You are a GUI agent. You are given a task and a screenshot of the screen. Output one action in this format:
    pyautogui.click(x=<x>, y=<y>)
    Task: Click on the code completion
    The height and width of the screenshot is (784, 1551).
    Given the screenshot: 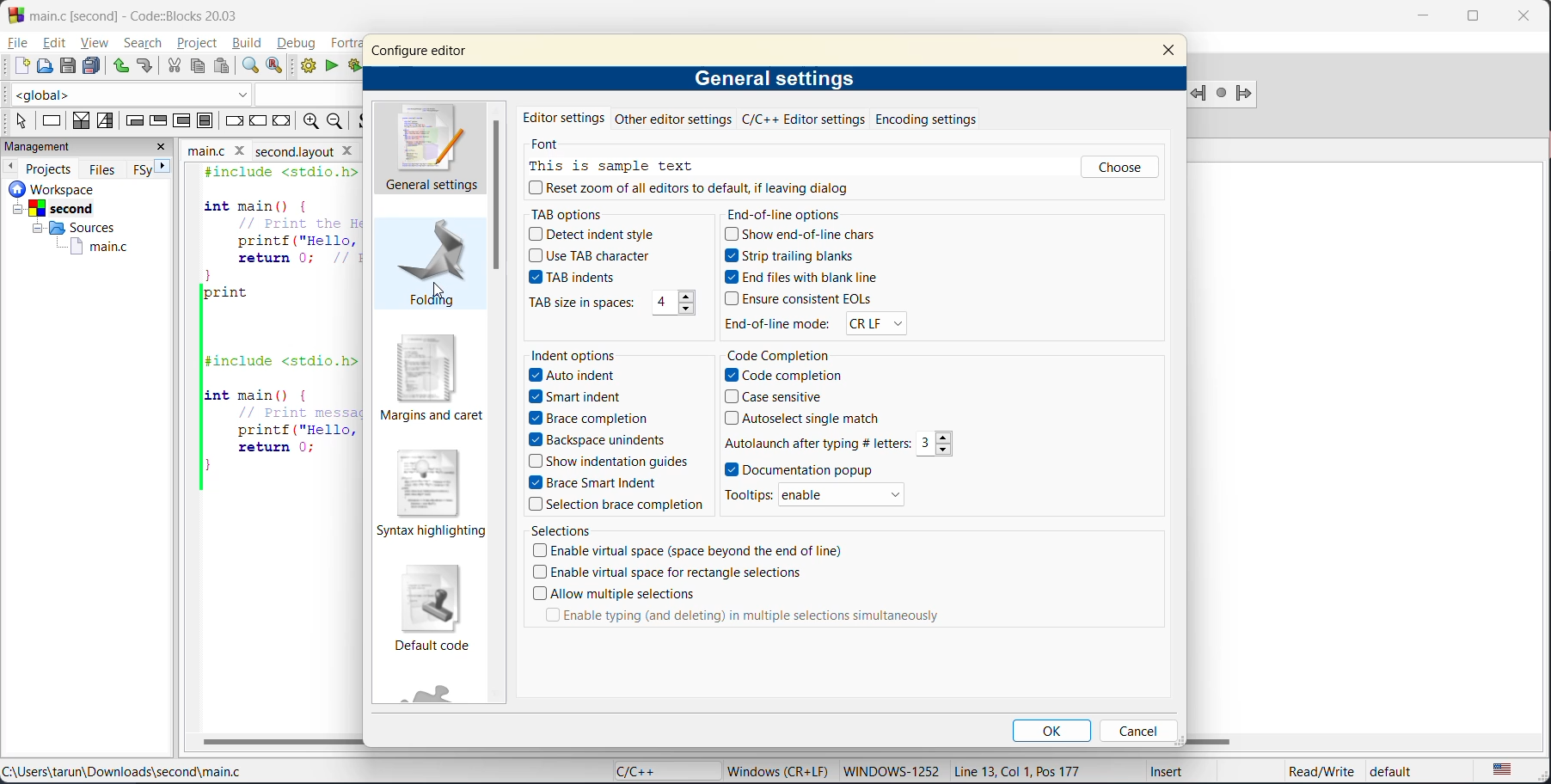 What is the action you would take?
    pyautogui.click(x=853, y=353)
    